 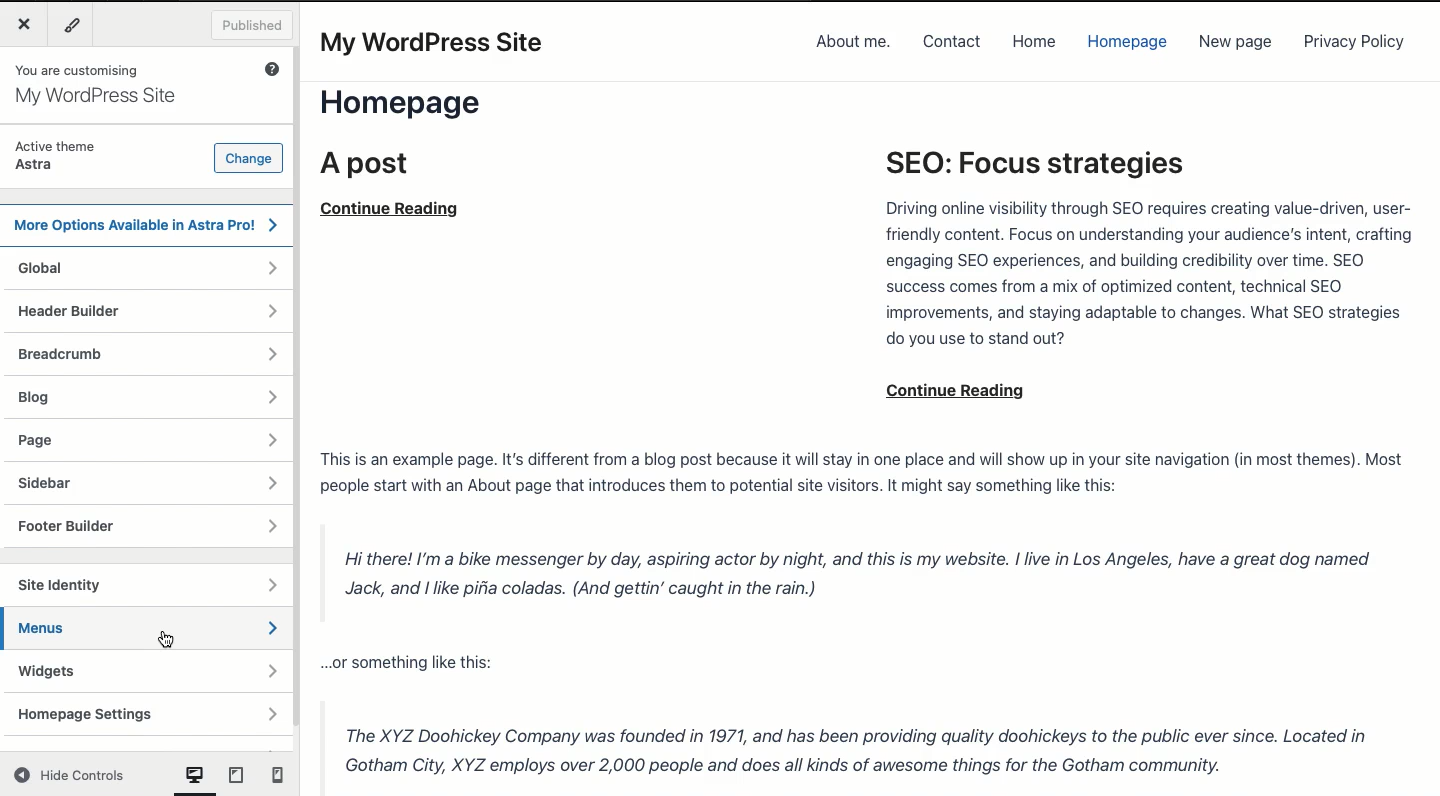 I want to click on Home, so click(x=1034, y=43).